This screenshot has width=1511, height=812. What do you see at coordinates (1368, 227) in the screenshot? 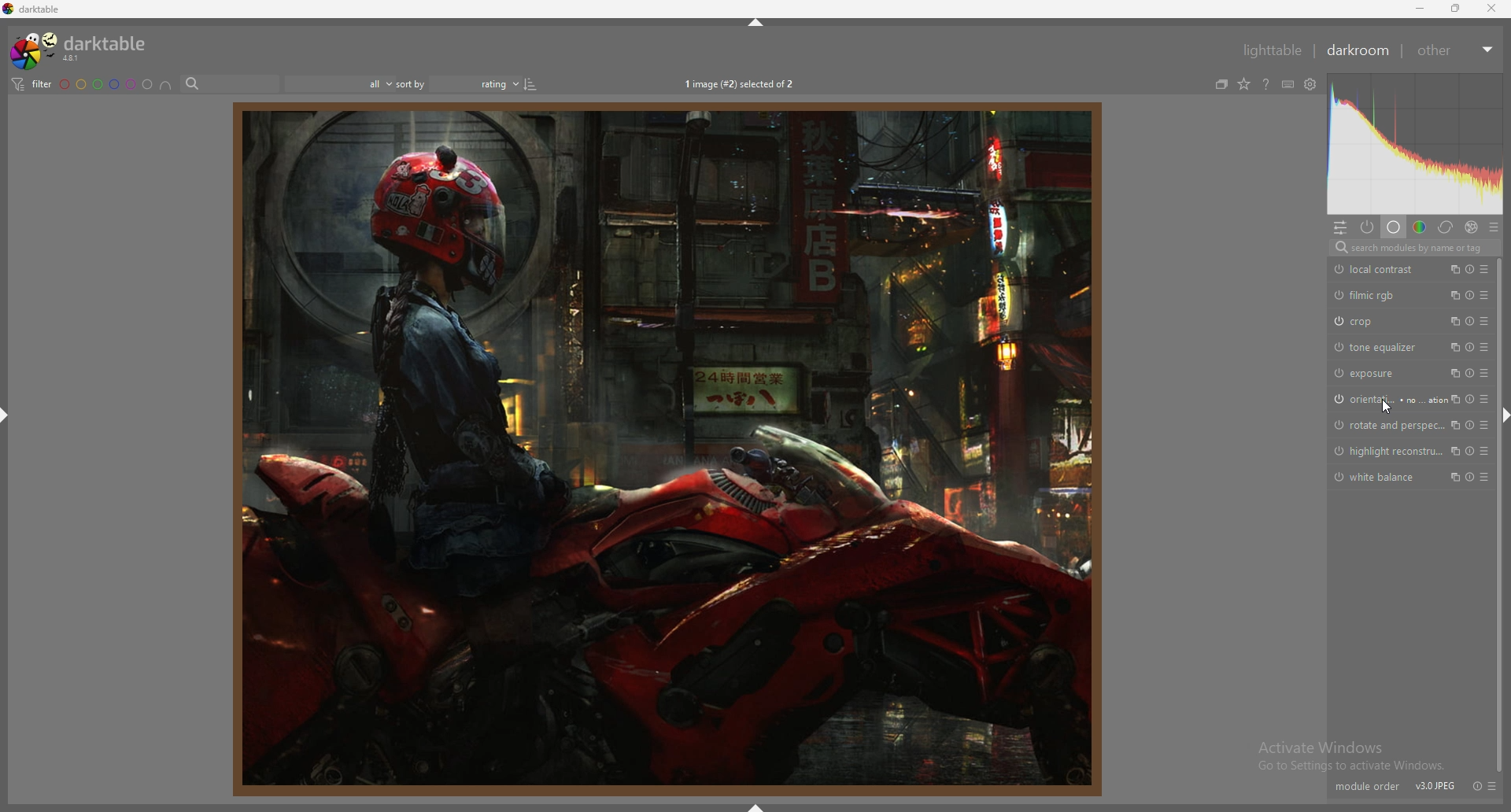
I see `show active modules` at bounding box center [1368, 227].